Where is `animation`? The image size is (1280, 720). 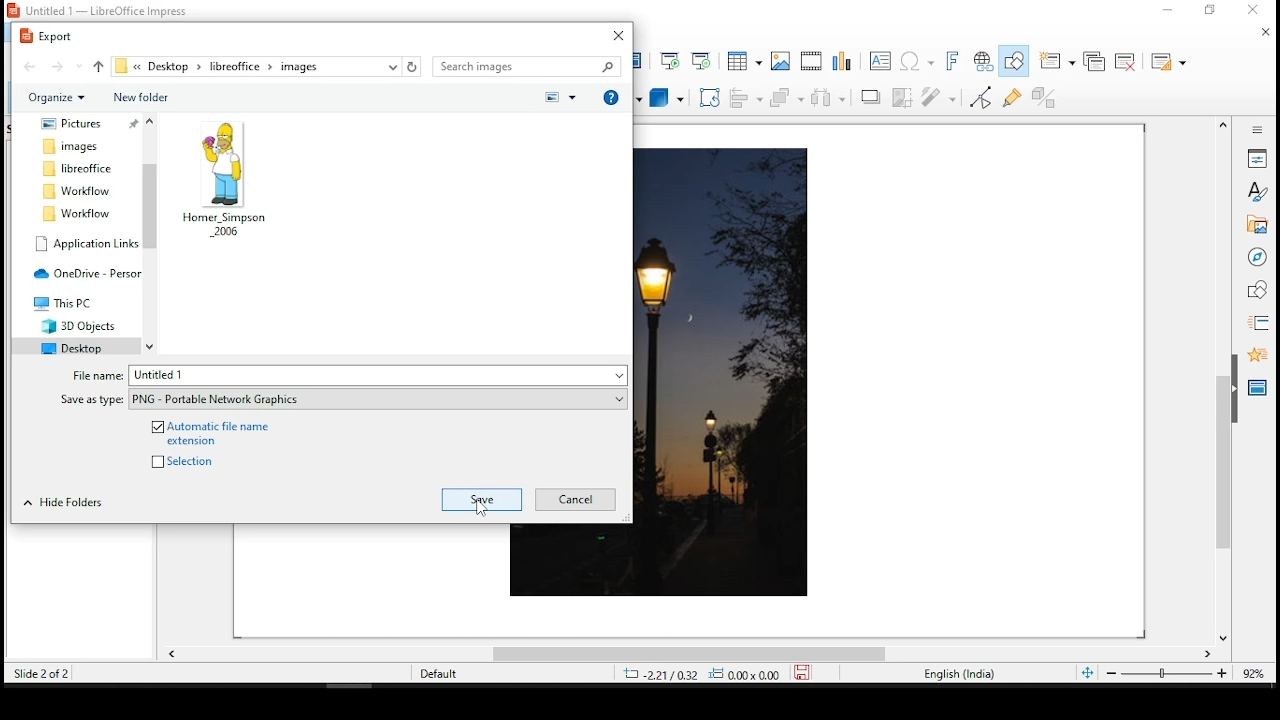 animation is located at coordinates (1257, 355).